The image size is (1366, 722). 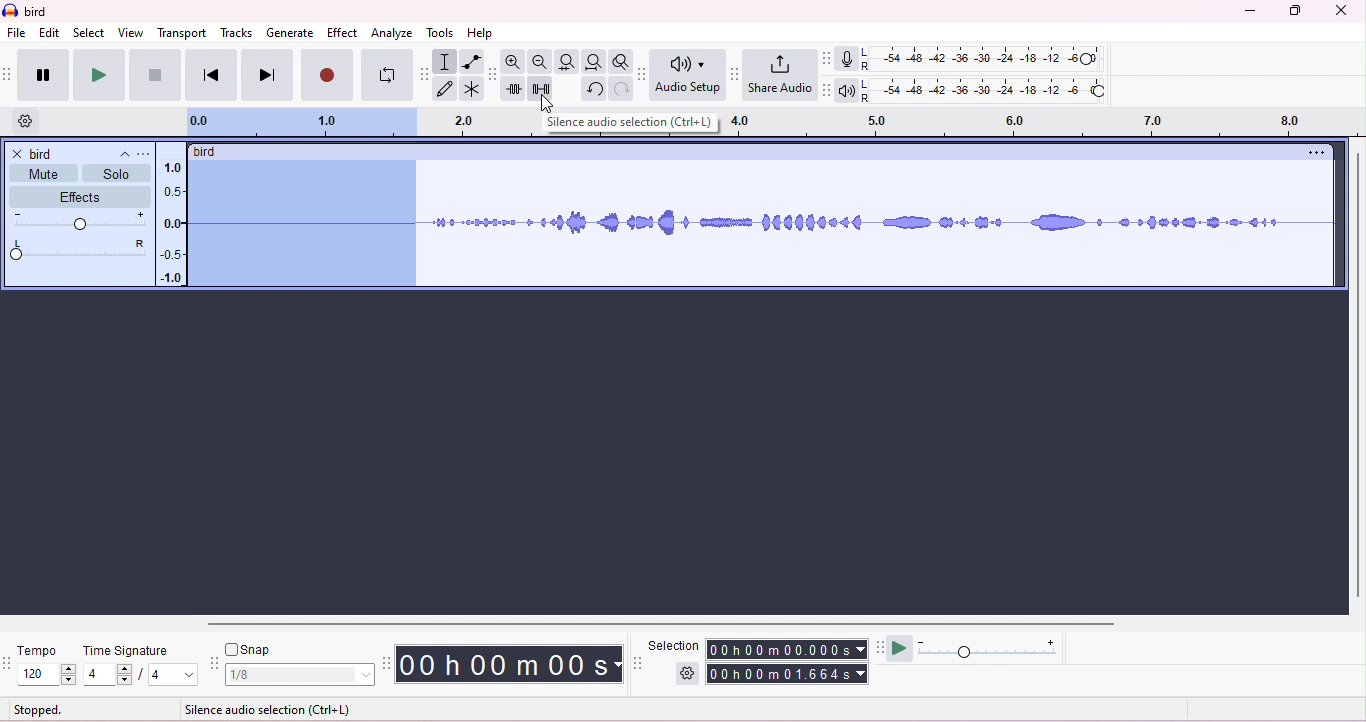 I want to click on pause, so click(x=44, y=75).